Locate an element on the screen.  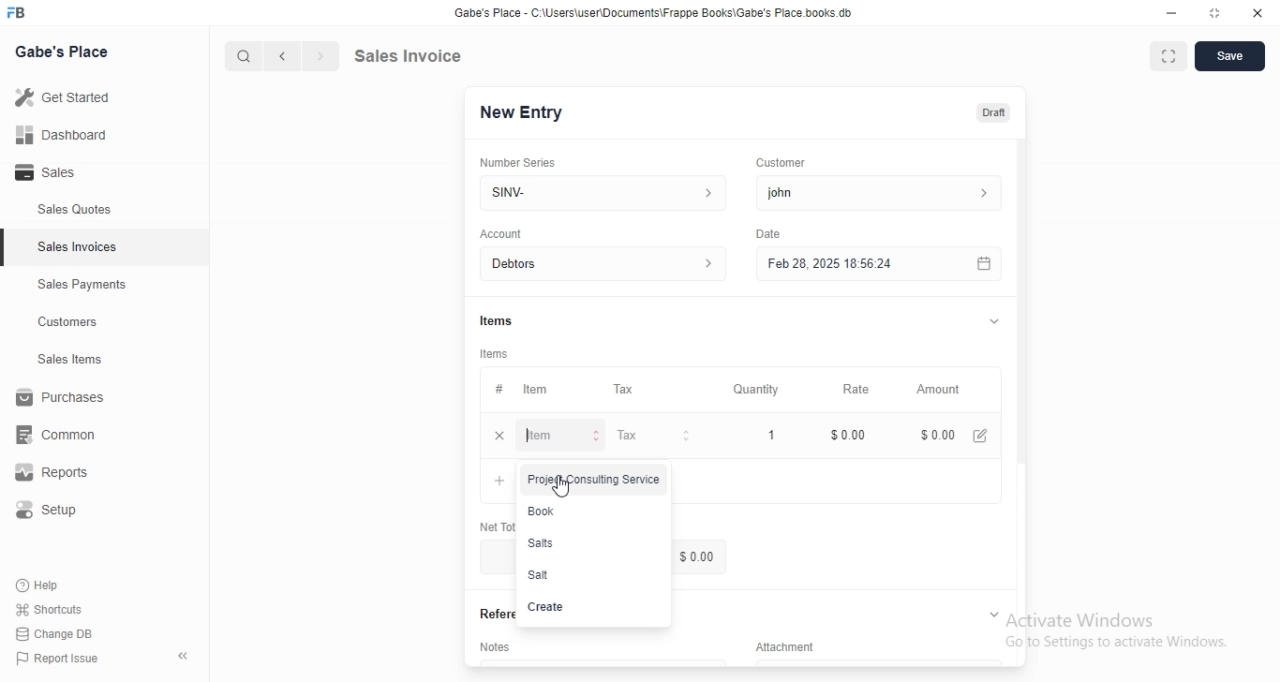
scroll bar is located at coordinates (1021, 321).